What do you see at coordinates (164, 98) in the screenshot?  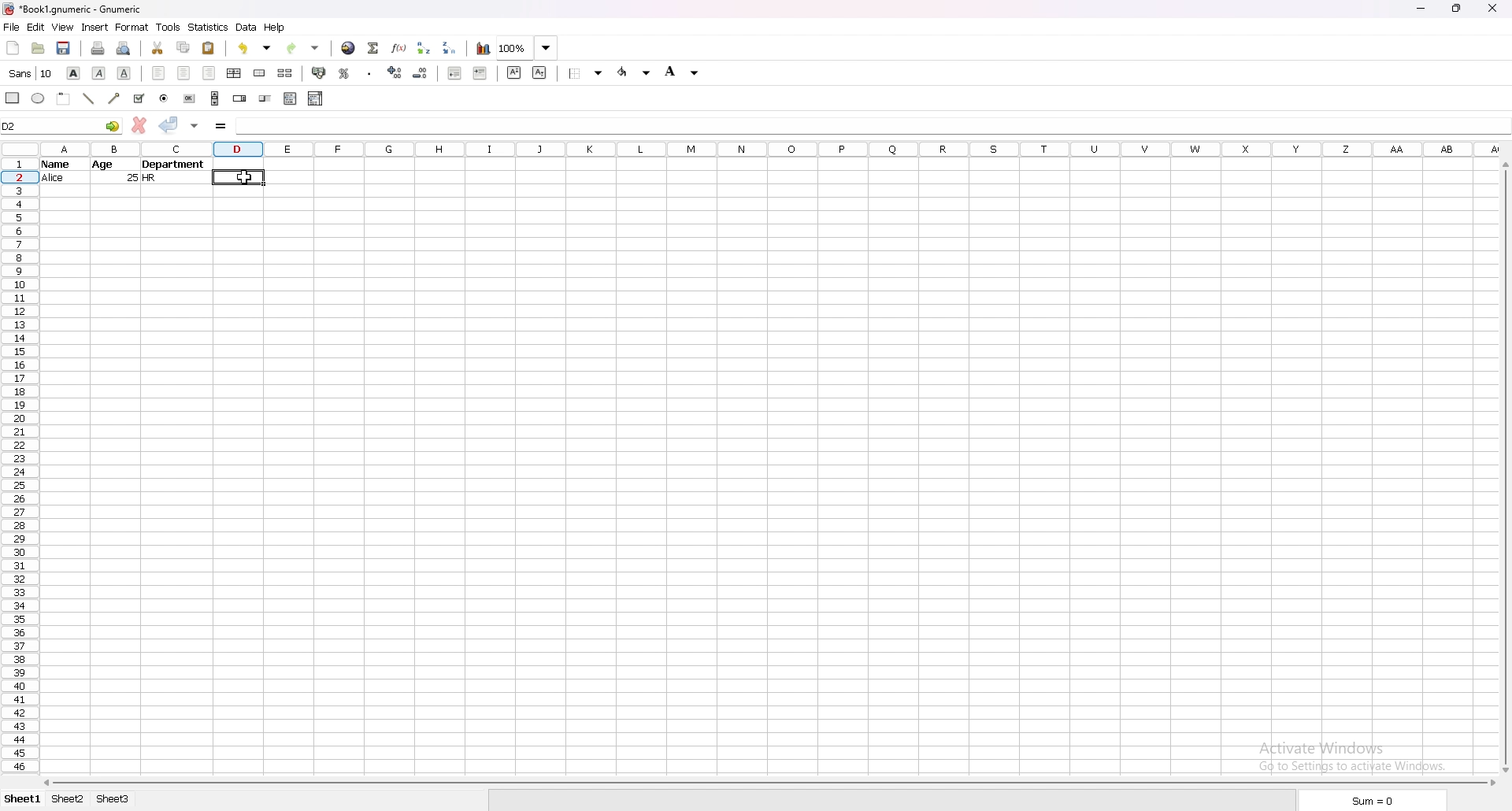 I see `radio button` at bounding box center [164, 98].